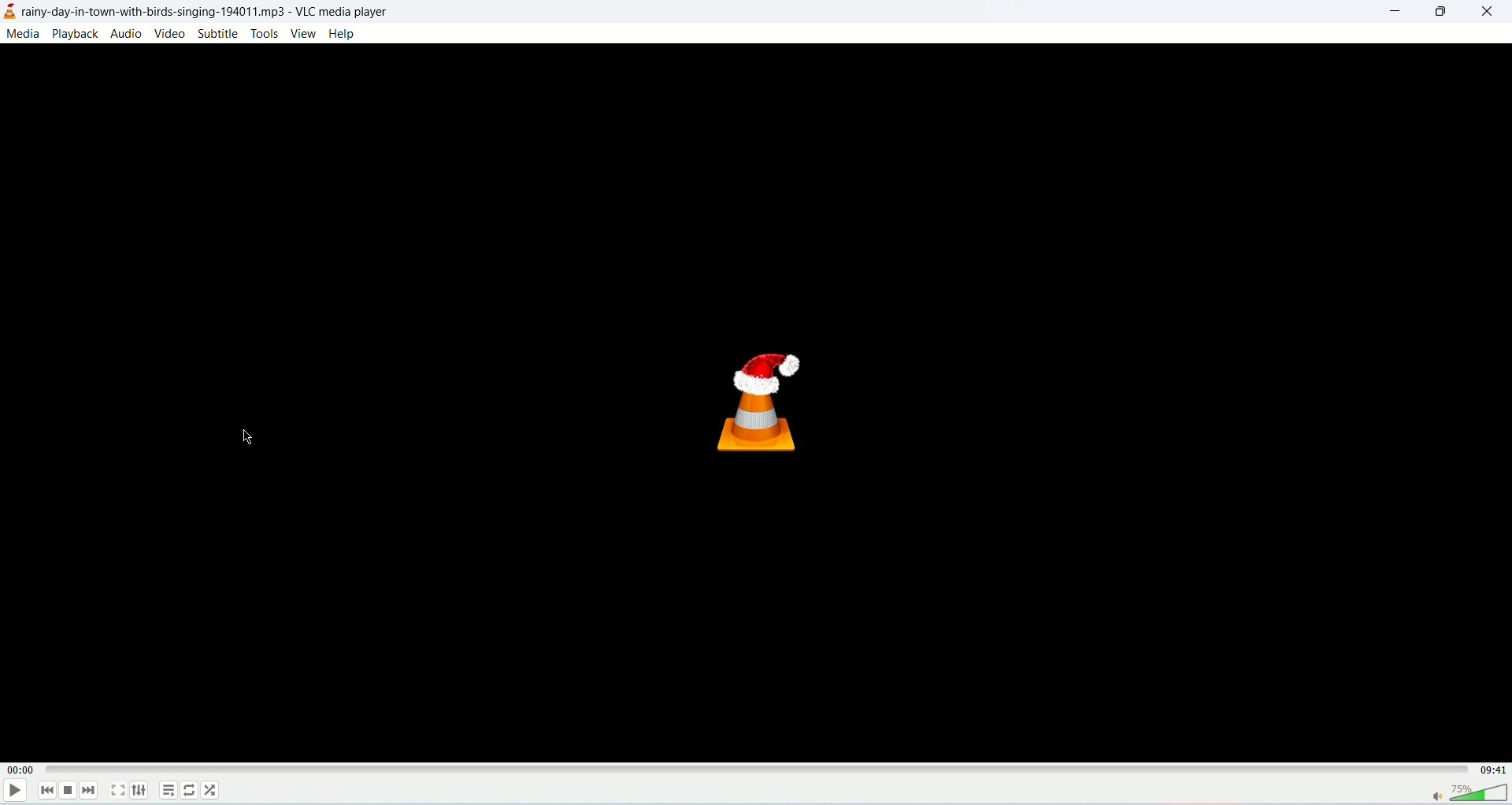 The width and height of the screenshot is (1512, 805). Describe the element at coordinates (303, 34) in the screenshot. I see `view` at that location.